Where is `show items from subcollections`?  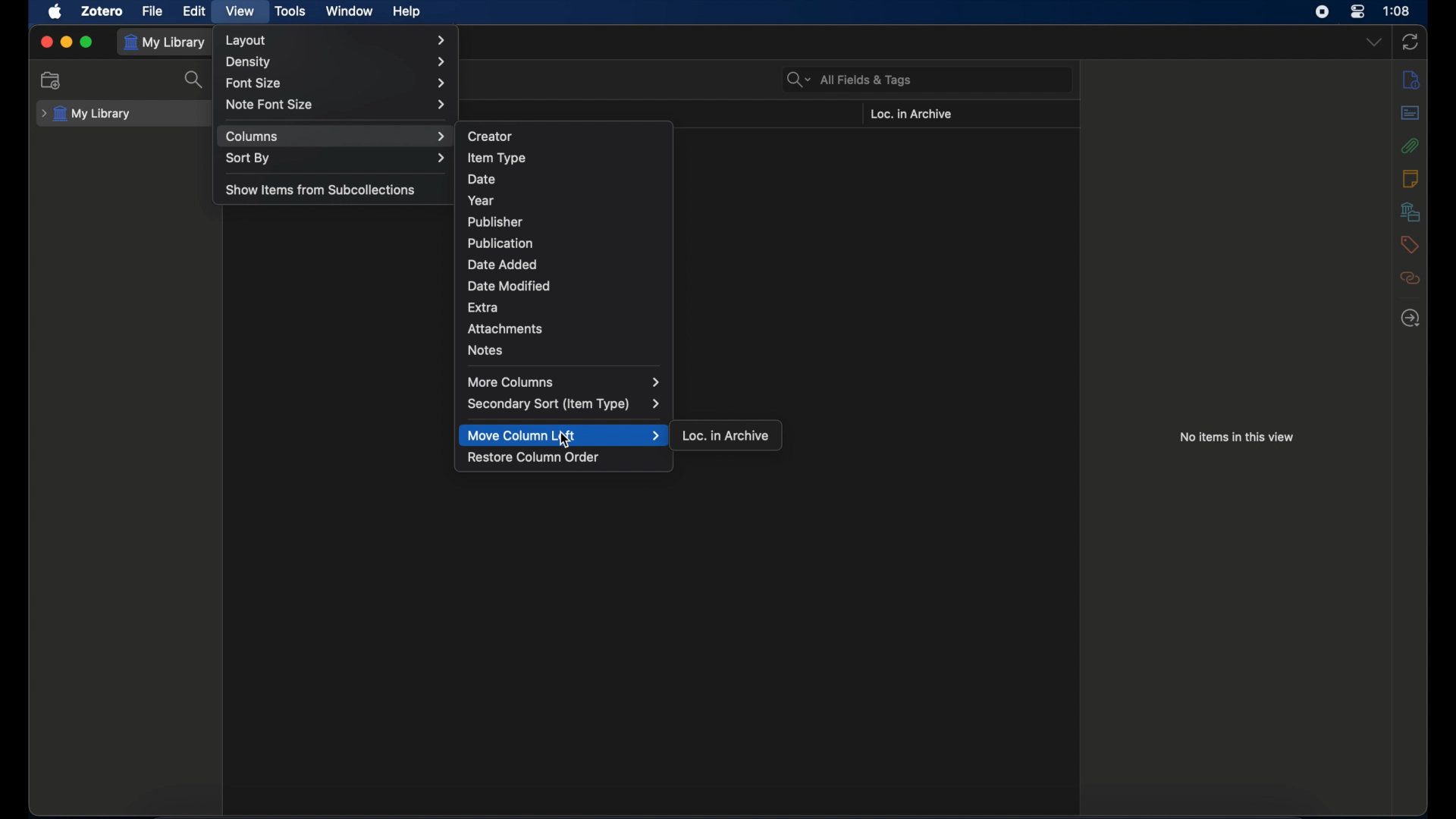
show items from subcollections is located at coordinates (322, 189).